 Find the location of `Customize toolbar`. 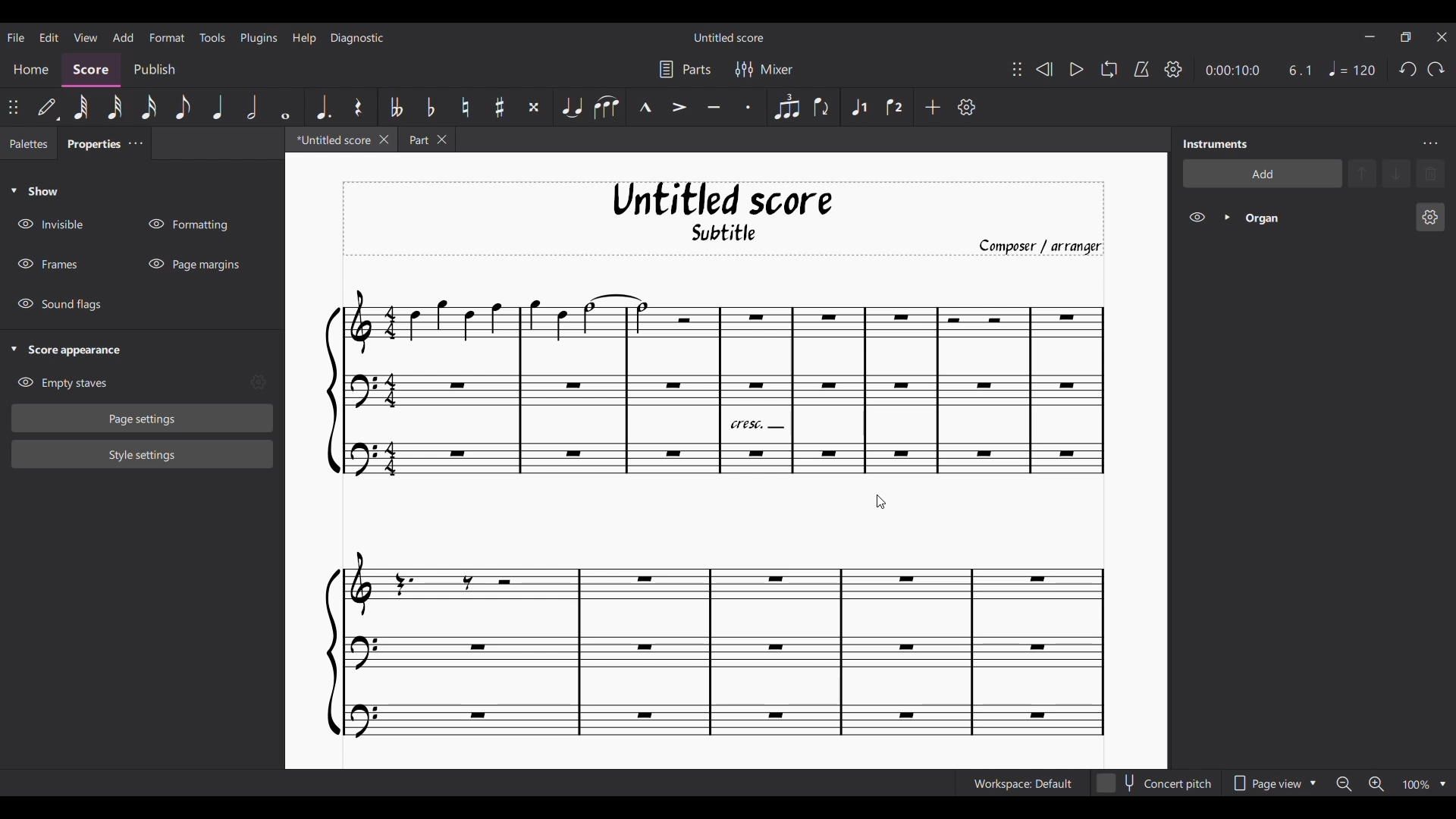

Customize toolbar is located at coordinates (967, 107).